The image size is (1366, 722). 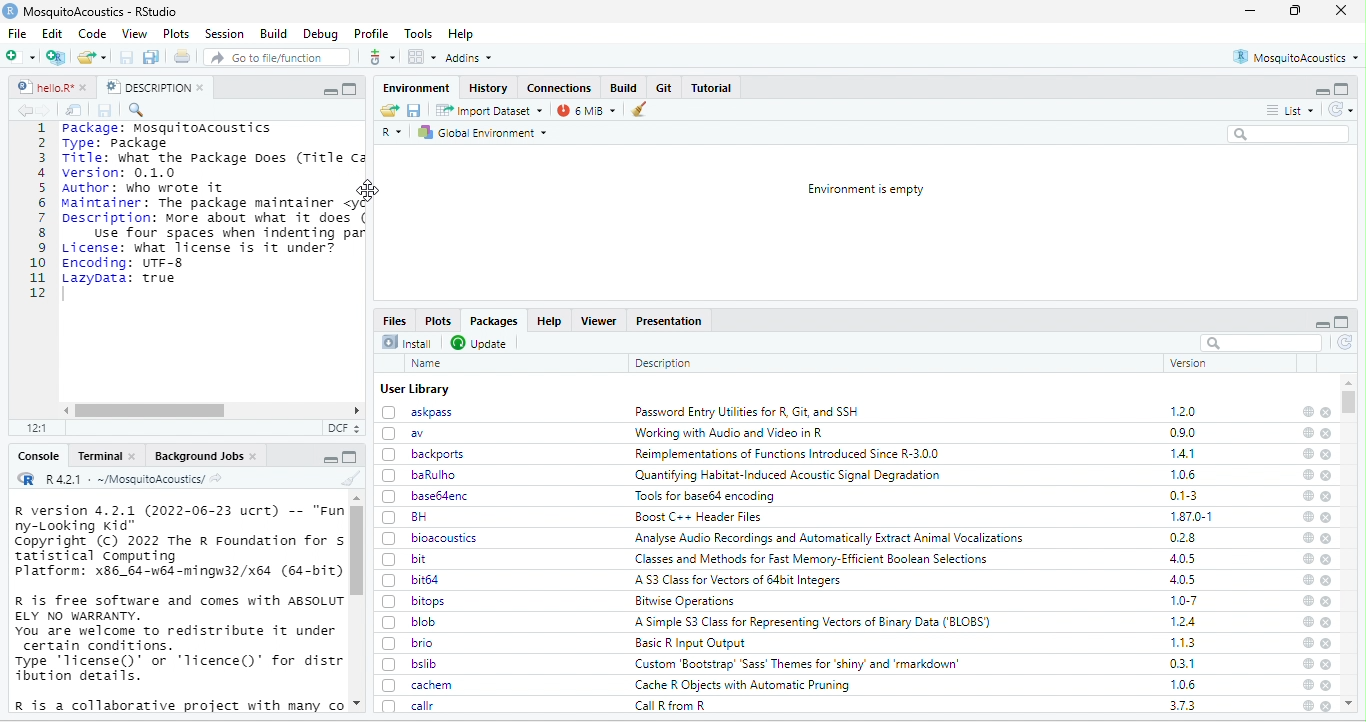 What do you see at coordinates (53, 33) in the screenshot?
I see `Edit` at bounding box center [53, 33].